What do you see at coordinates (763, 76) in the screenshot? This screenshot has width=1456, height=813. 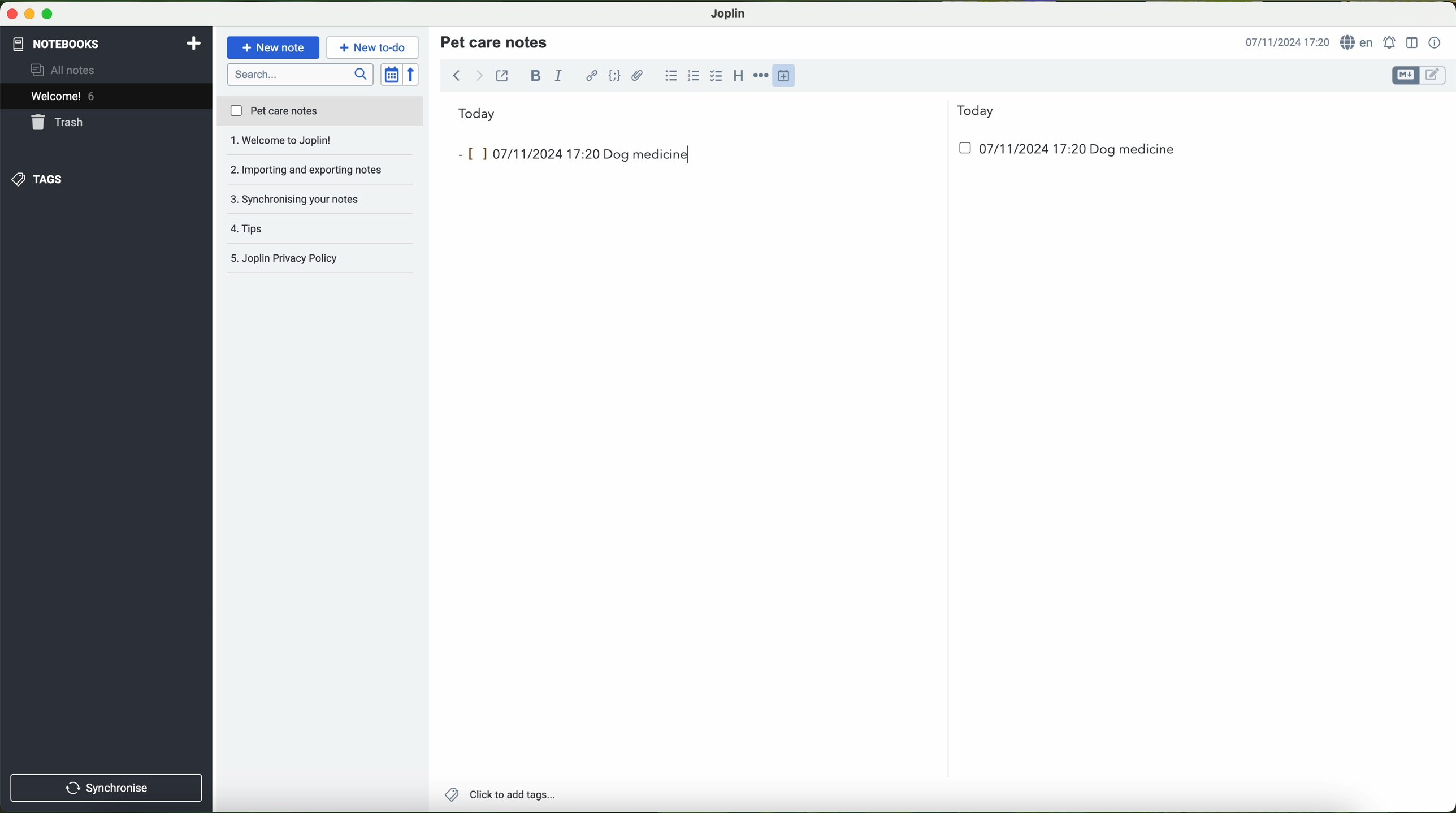 I see `horizontal rule` at bounding box center [763, 76].